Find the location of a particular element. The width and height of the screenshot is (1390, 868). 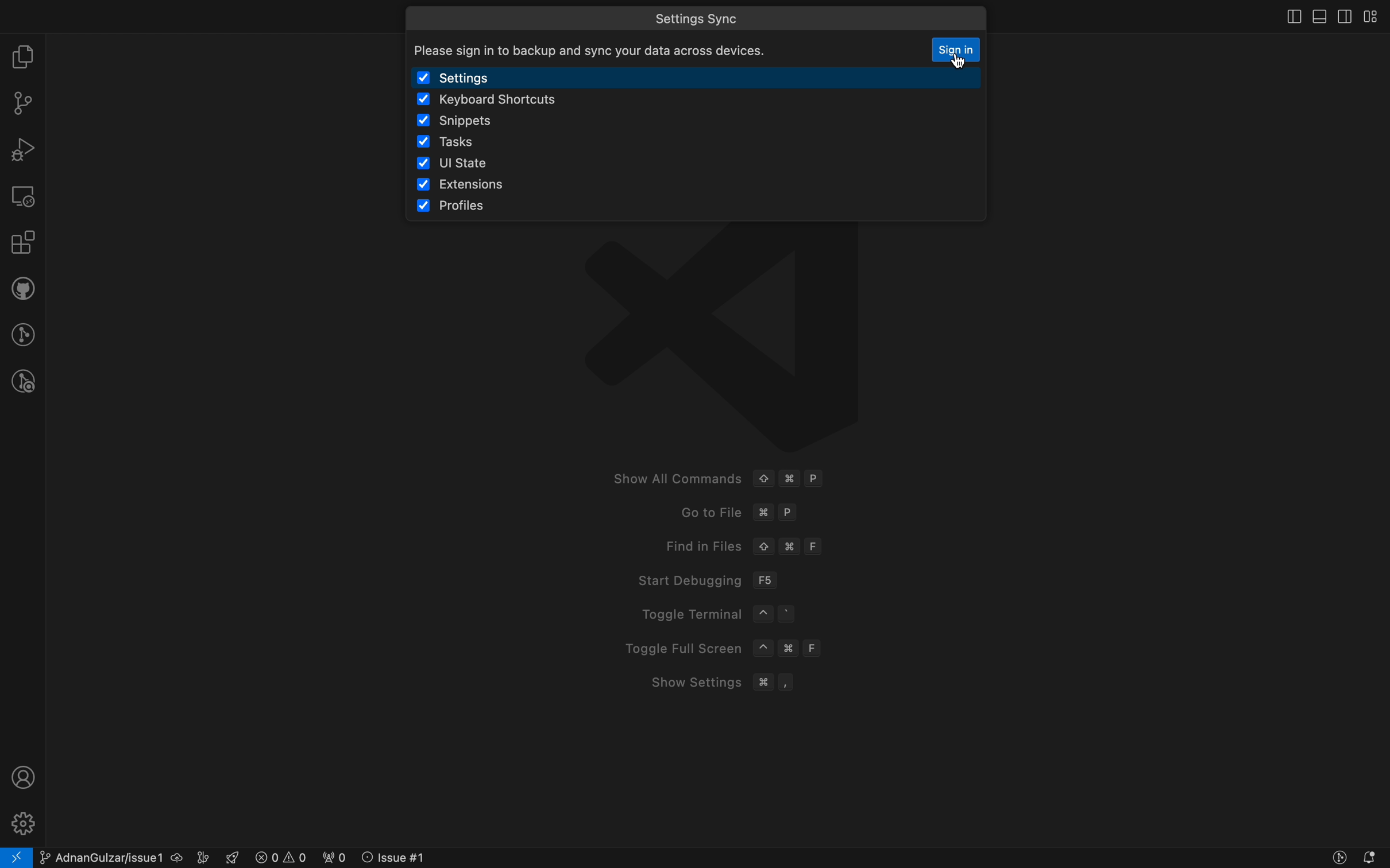

layouts is located at coordinates (1376, 17).